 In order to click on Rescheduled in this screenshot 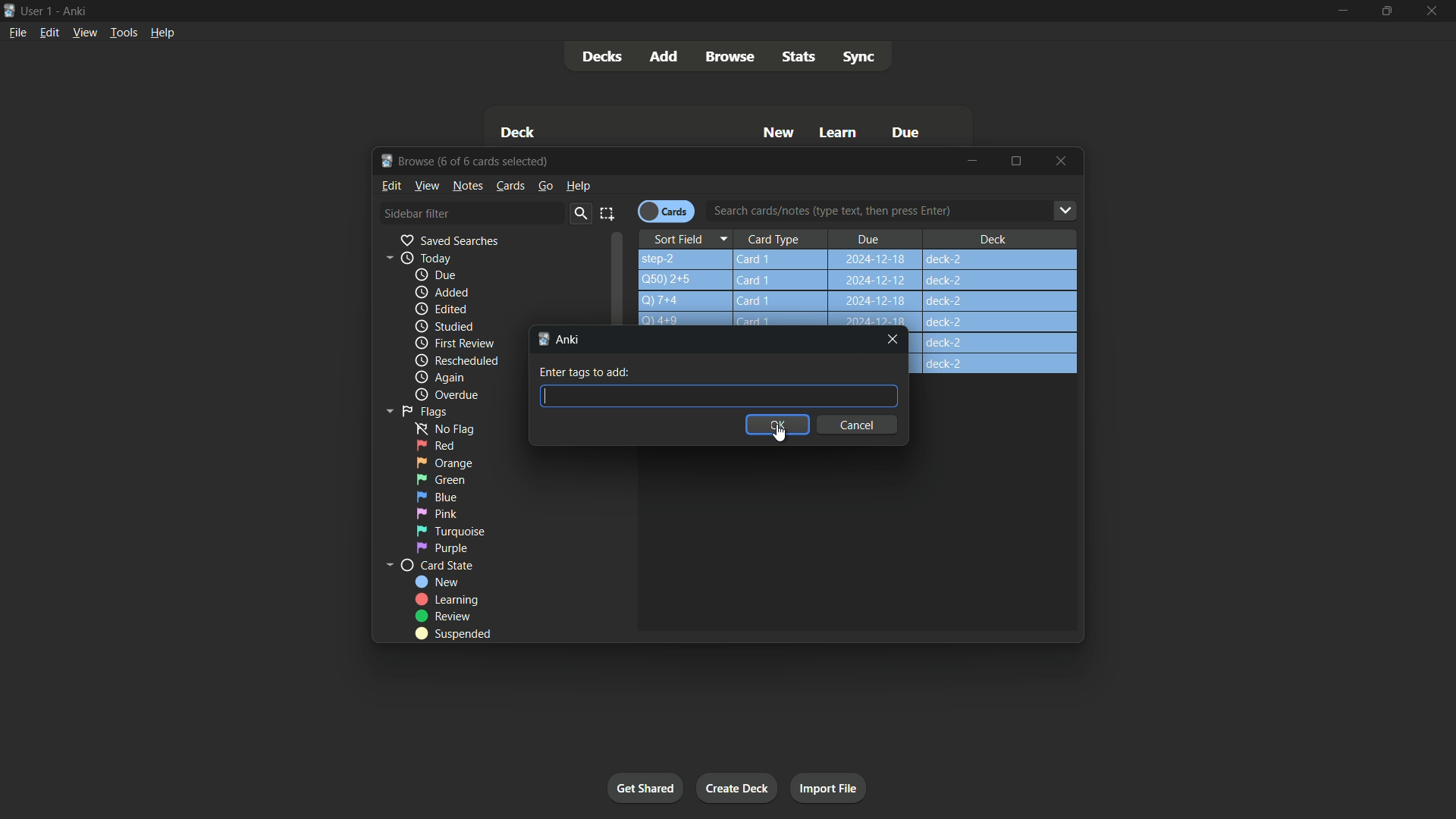, I will do `click(456, 361)`.